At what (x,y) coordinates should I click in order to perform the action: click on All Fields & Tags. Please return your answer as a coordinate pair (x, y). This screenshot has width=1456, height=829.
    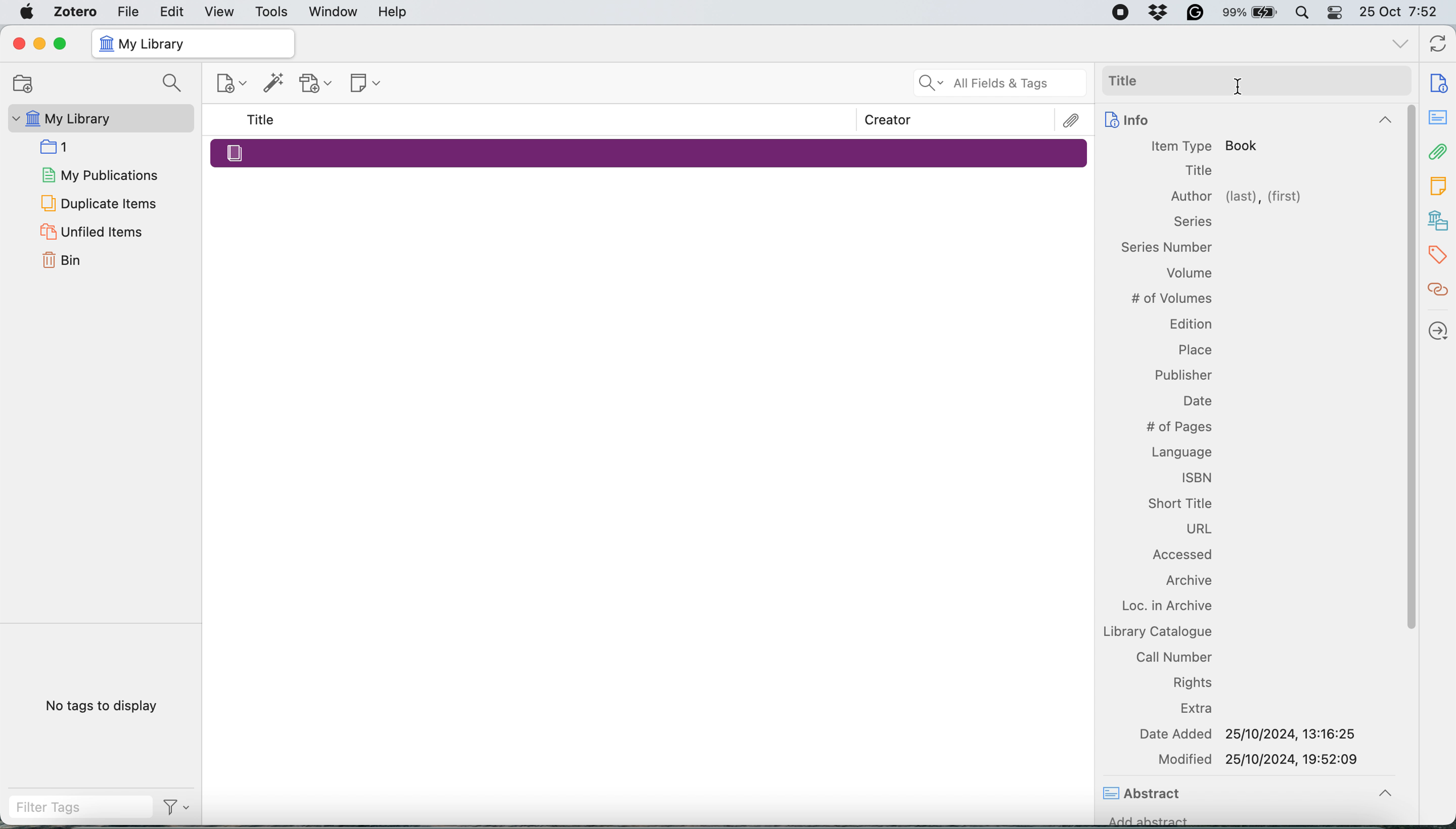
    Looking at the image, I should click on (1001, 83).